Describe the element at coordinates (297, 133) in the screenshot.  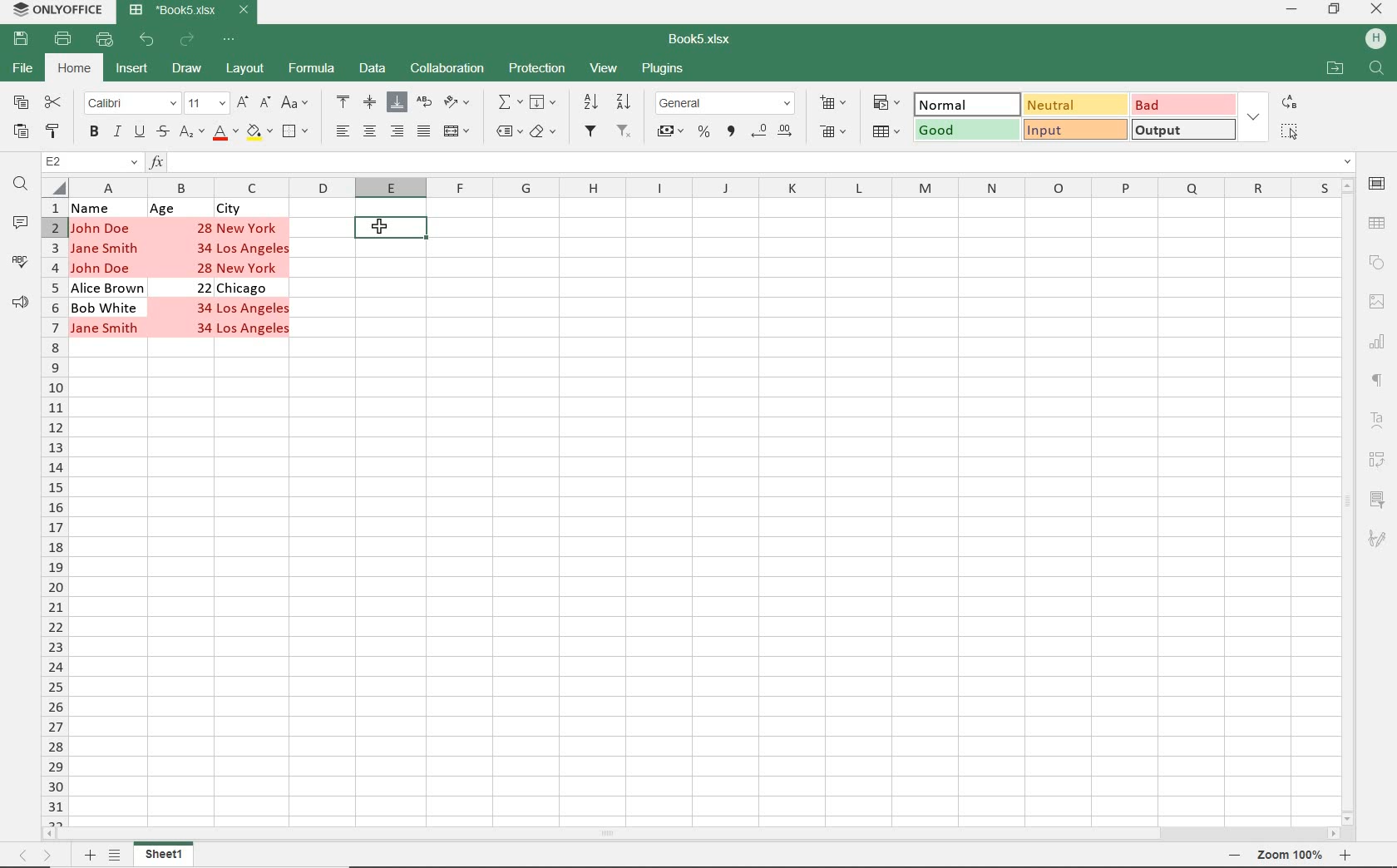
I see `BORDERS` at that location.